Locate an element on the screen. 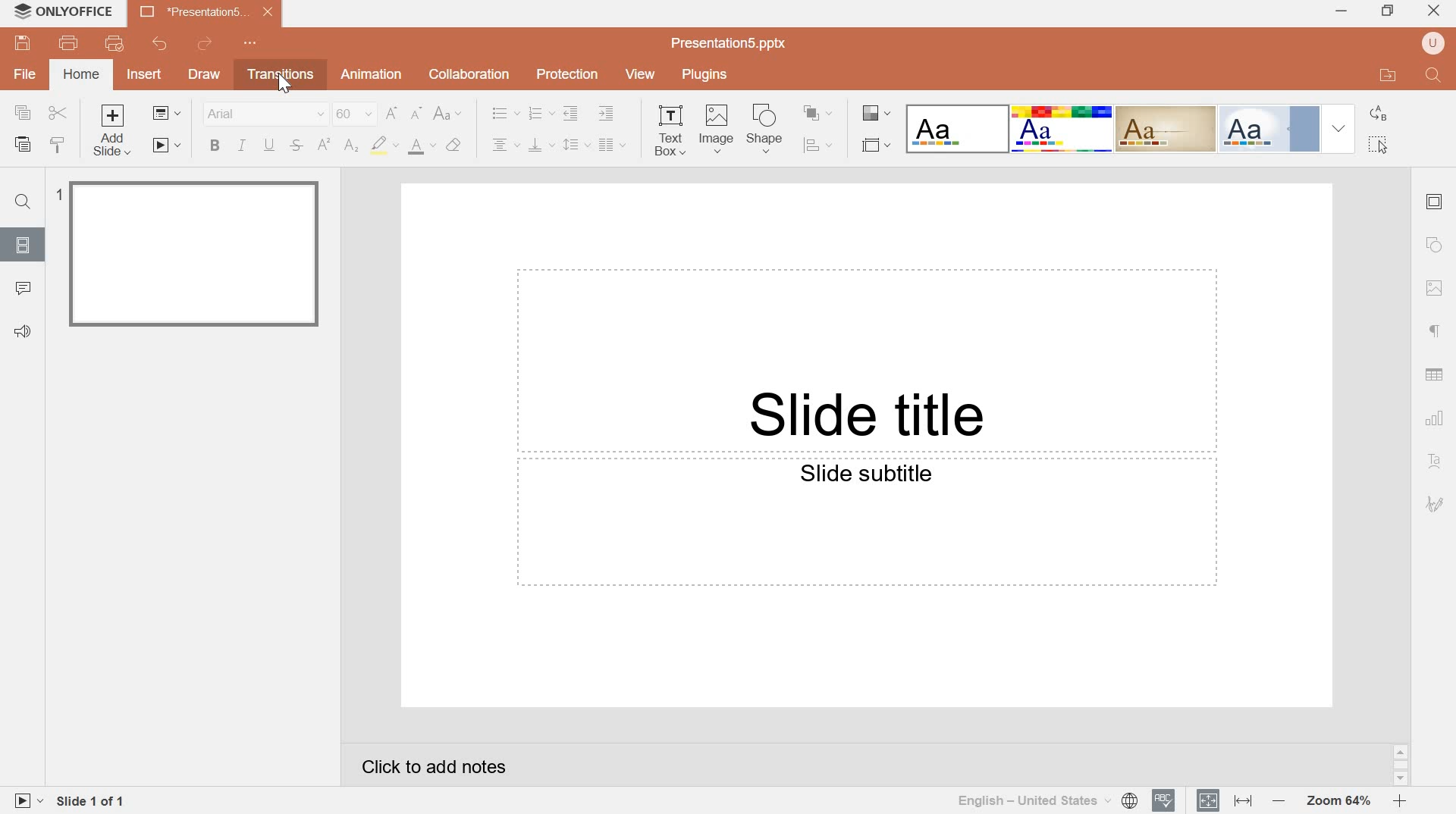 The height and width of the screenshot is (814, 1456). copy is located at coordinates (24, 112).